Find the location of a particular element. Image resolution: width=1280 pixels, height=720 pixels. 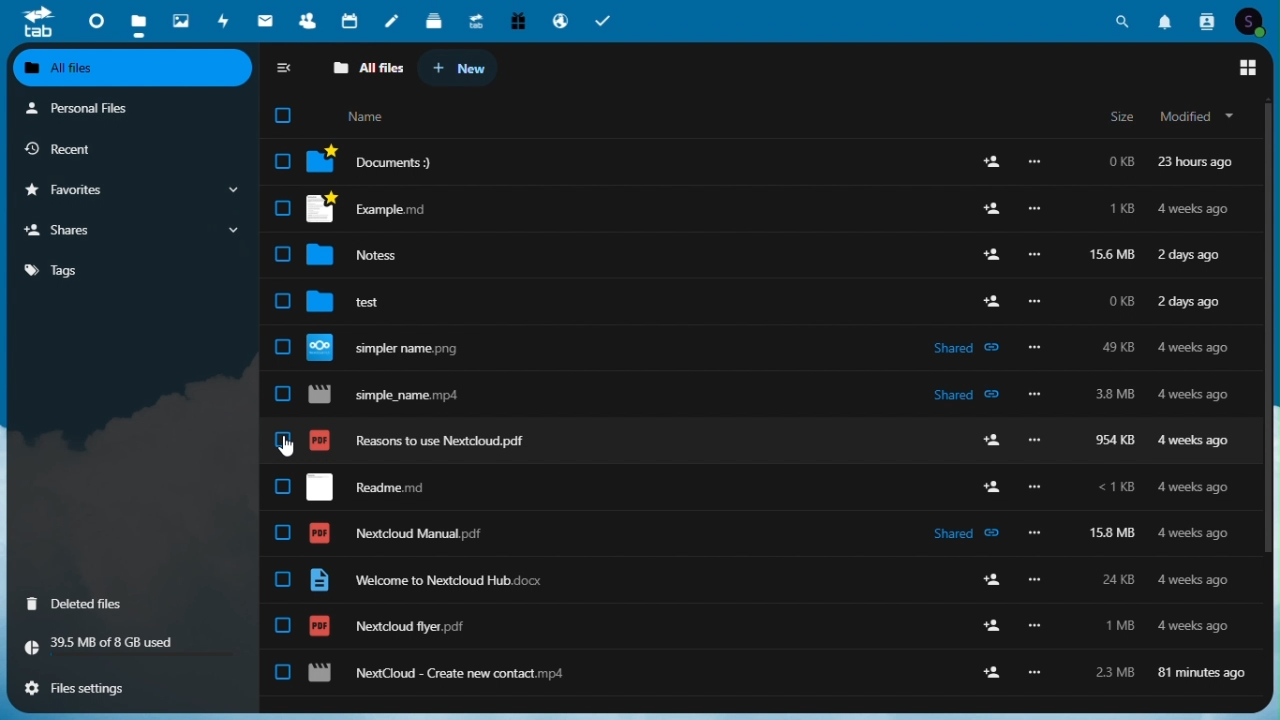

 add user is located at coordinates (985, 437).